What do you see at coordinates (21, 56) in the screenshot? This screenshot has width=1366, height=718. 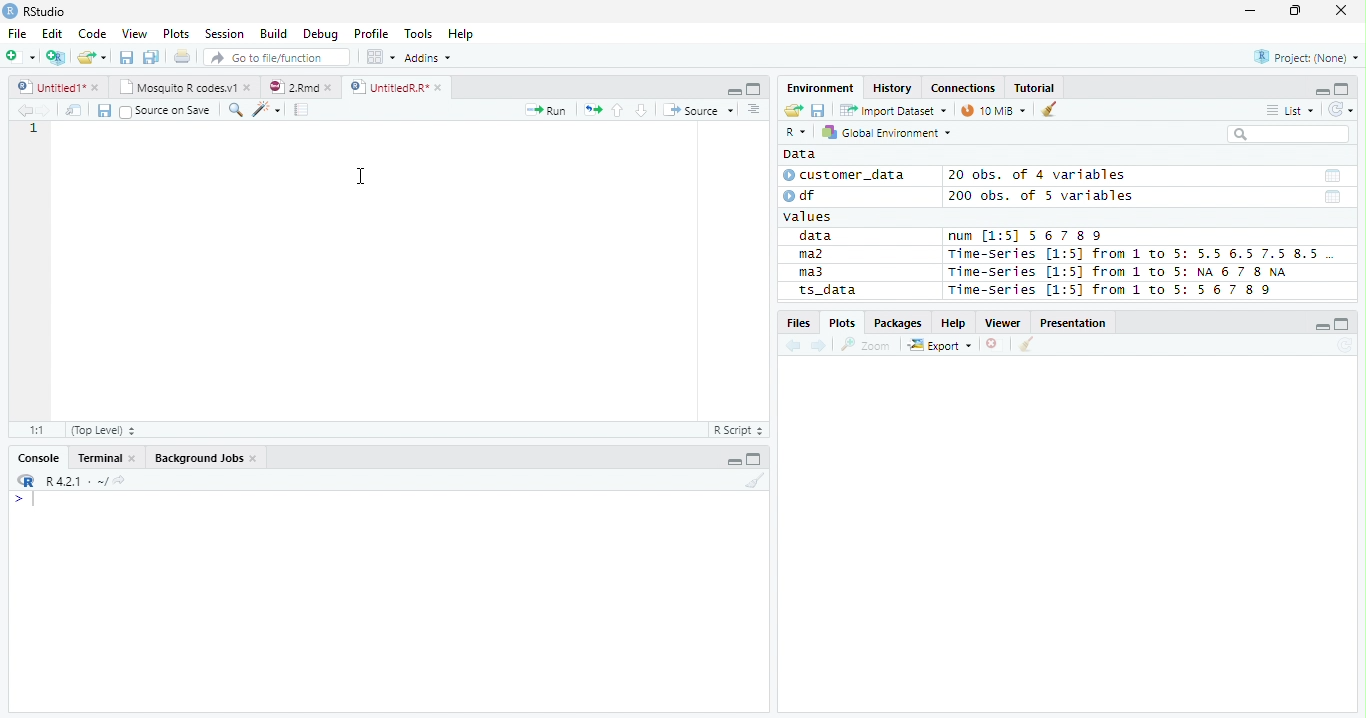 I see `New File` at bounding box center [21, 56].